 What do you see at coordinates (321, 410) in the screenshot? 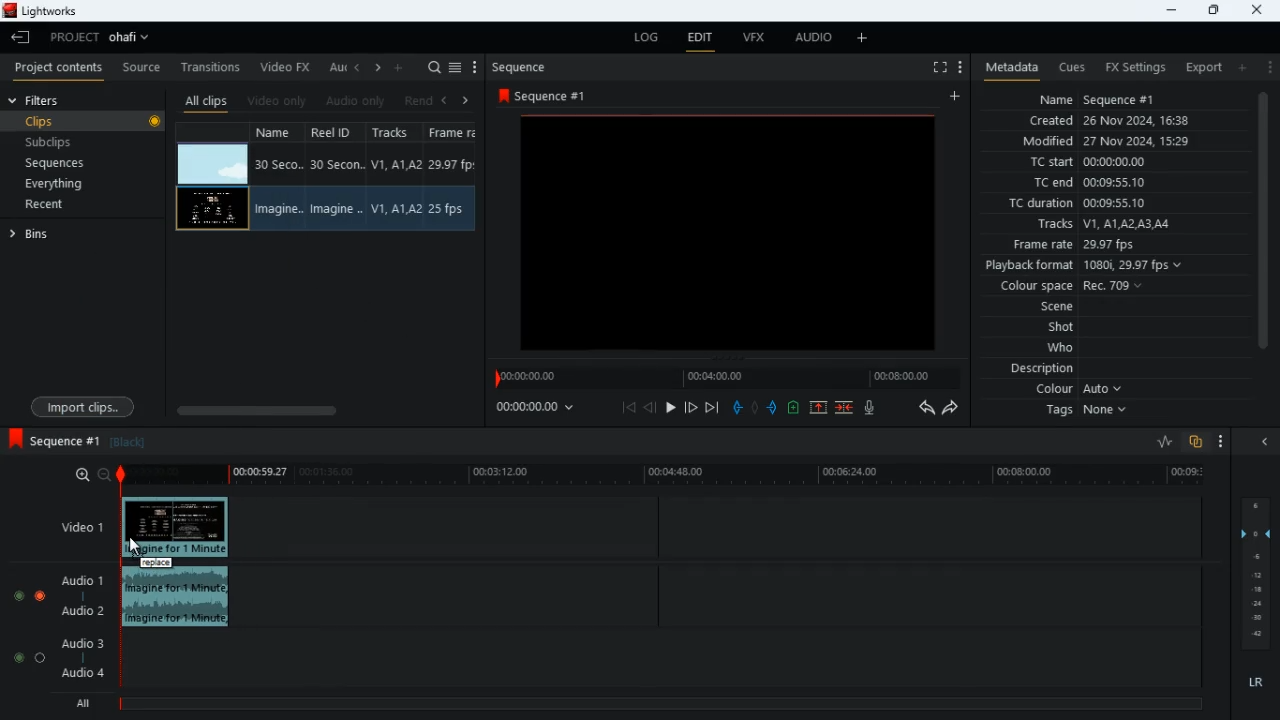
I see `scroll bar` at bounding box center [321, 410].